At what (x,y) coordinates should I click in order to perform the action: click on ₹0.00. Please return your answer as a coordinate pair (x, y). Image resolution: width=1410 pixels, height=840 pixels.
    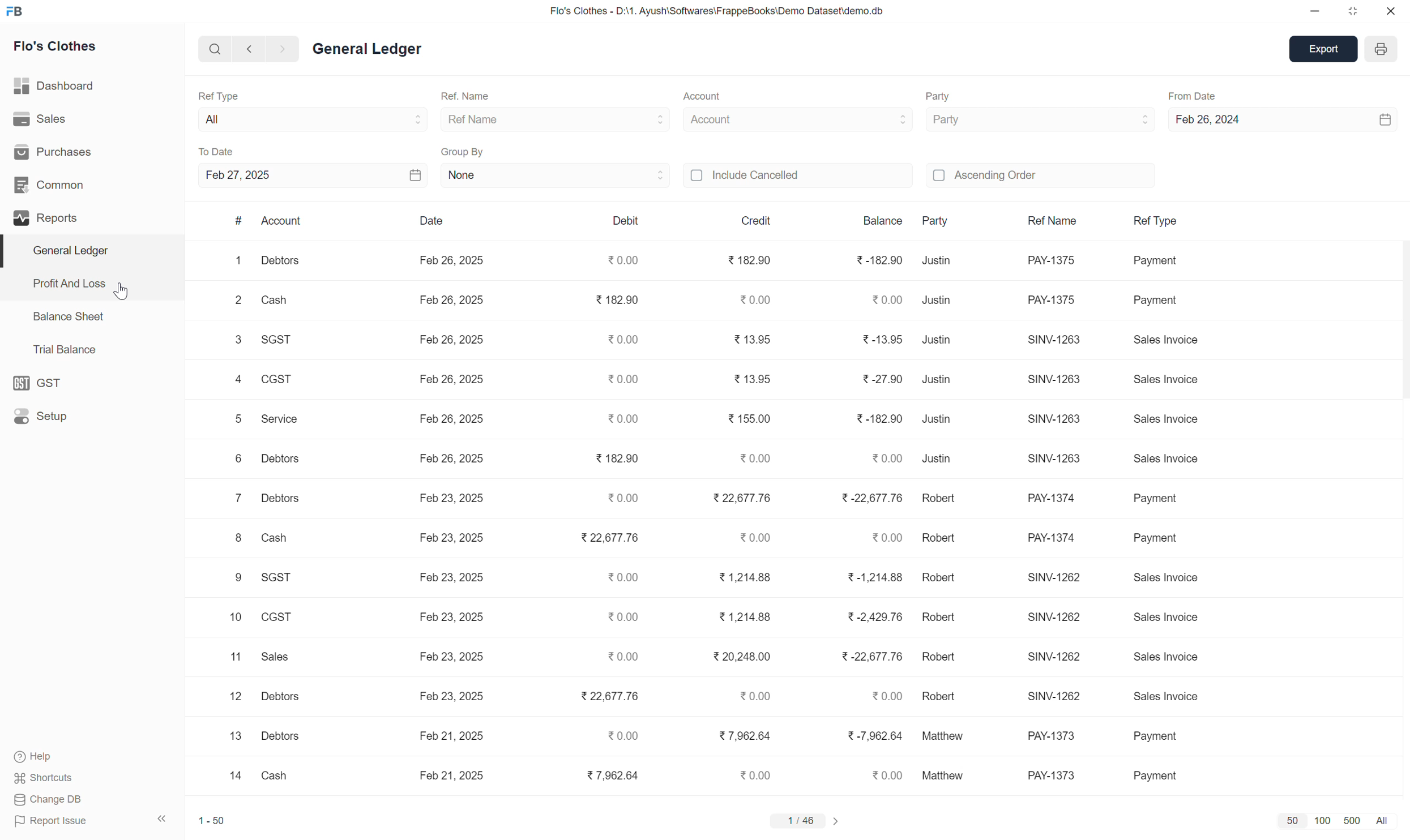
    Looking at the image, I should click on (884, 697).